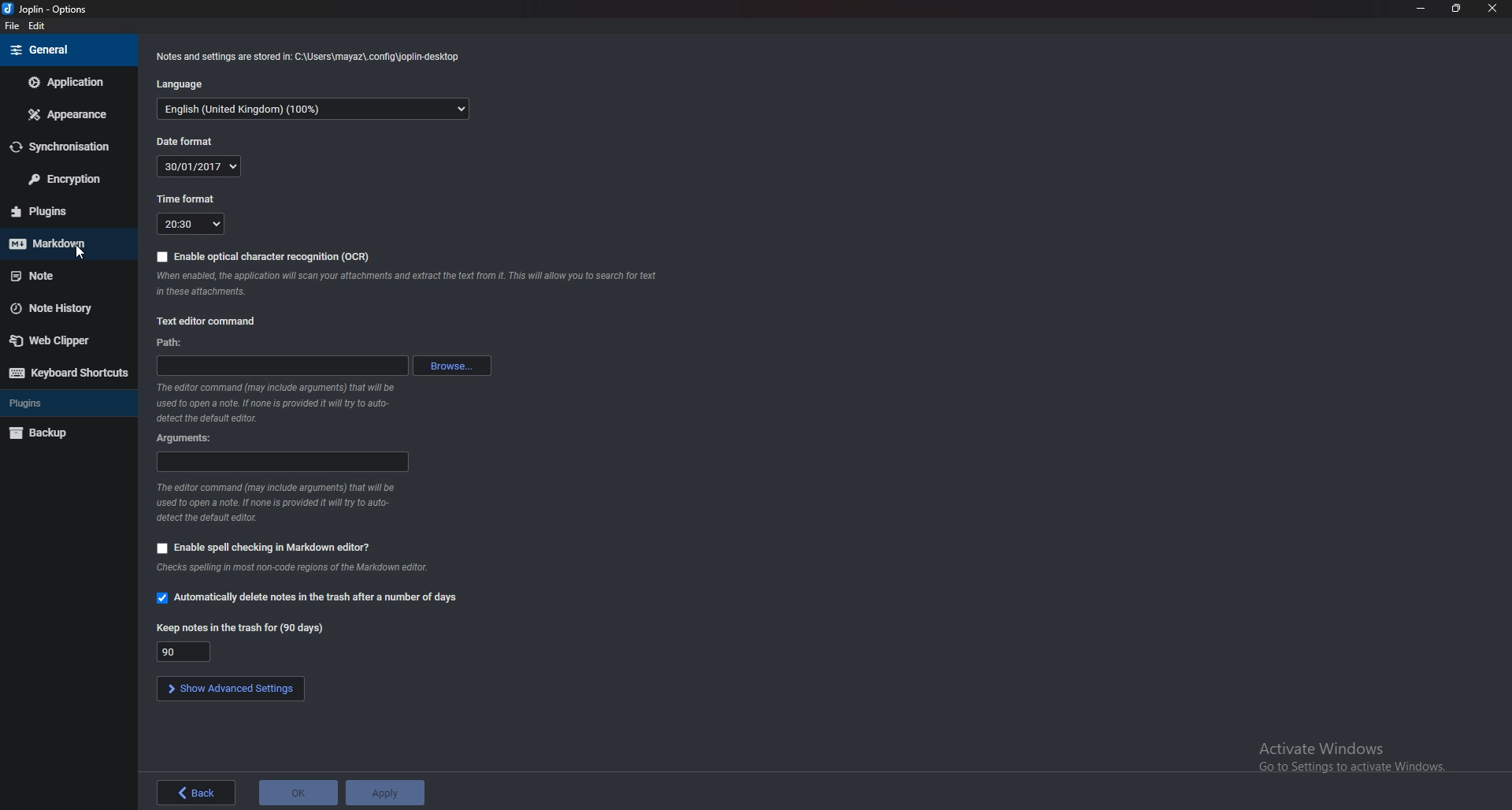  I want to click on joplin, so click(51, 9).